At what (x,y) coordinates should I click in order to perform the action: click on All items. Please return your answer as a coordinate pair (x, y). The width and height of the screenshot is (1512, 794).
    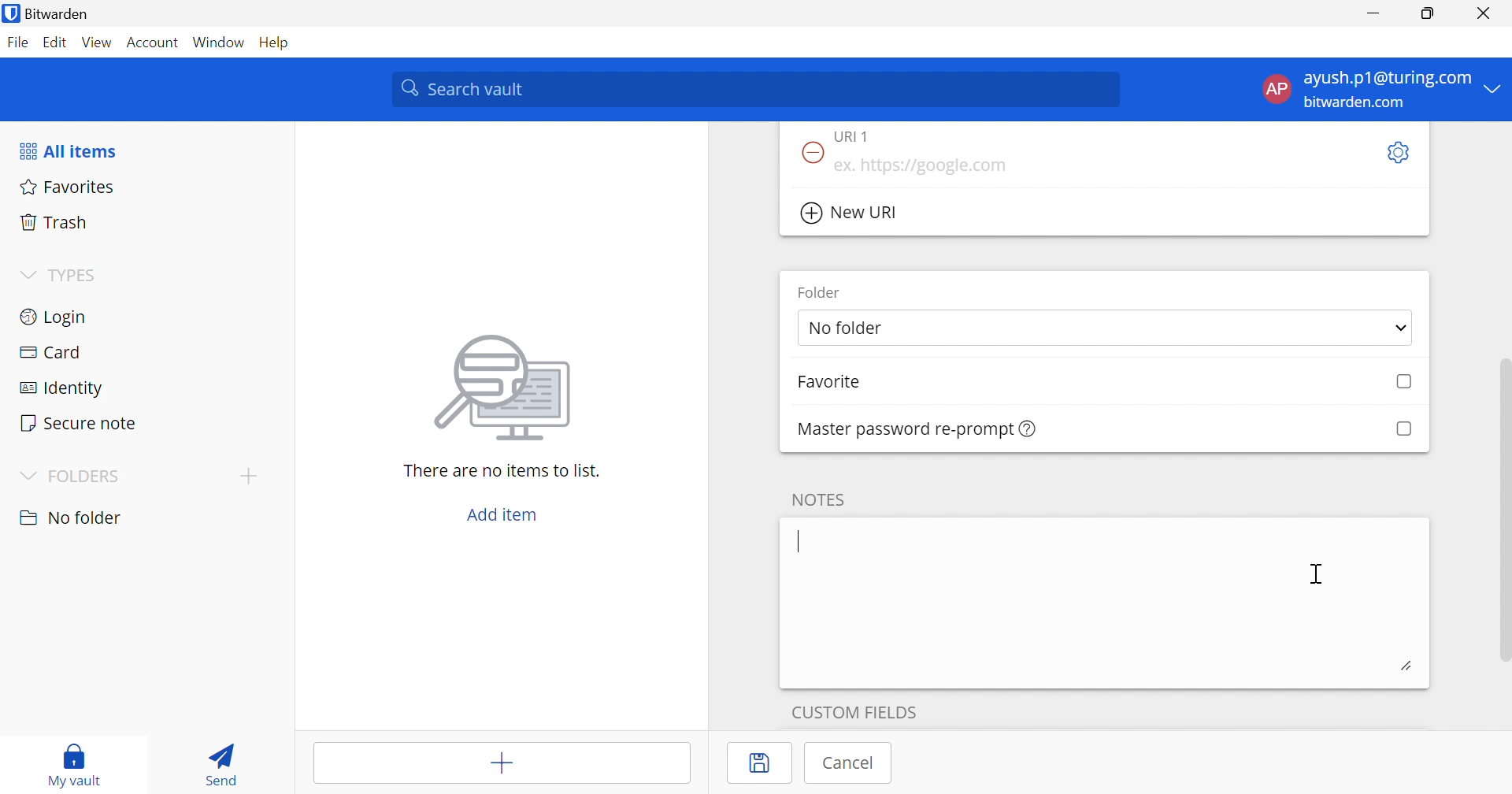
    Looking at the image, I should click on (67, 151).